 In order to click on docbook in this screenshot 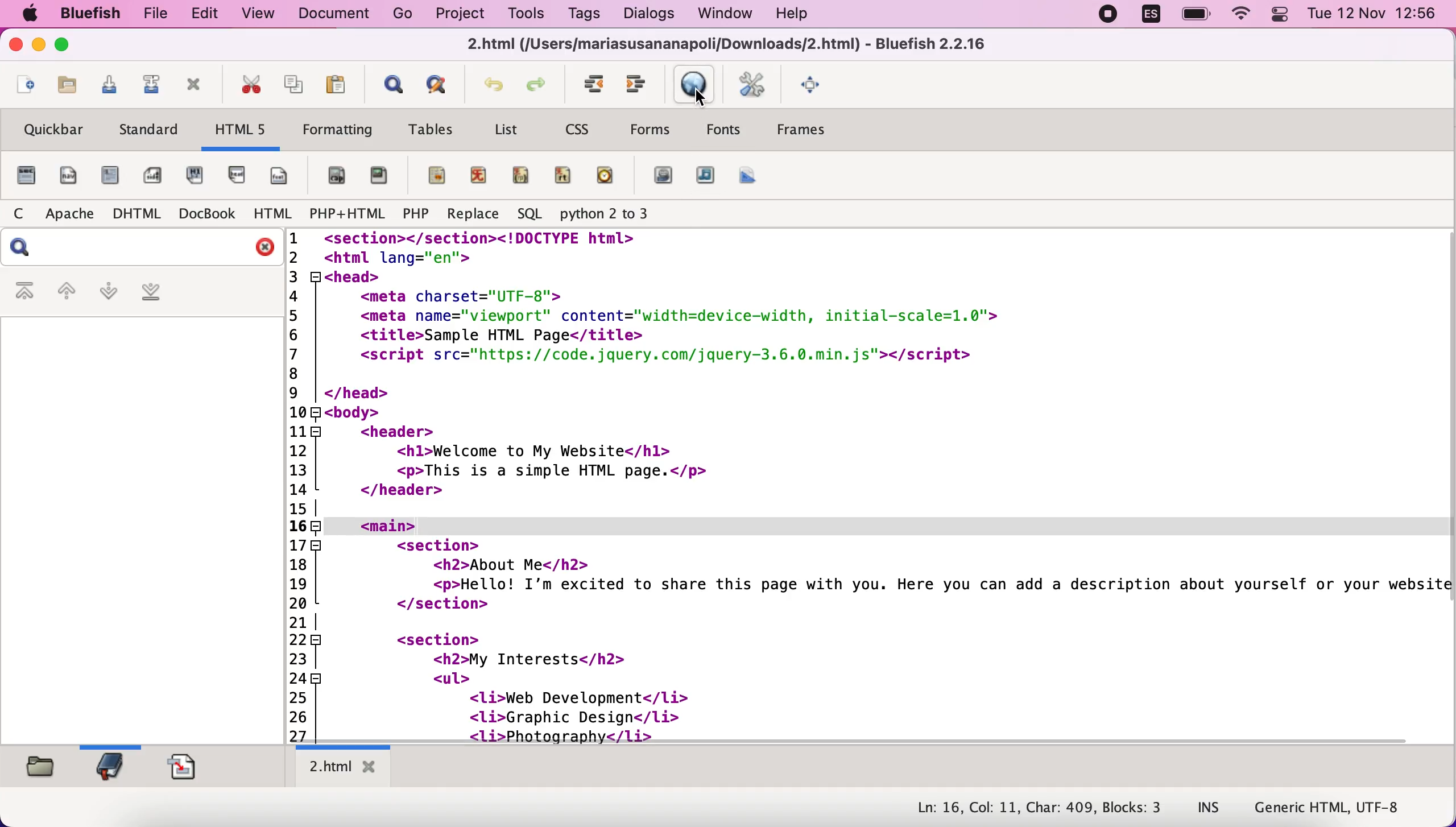, I will do `click(209, 213)`.